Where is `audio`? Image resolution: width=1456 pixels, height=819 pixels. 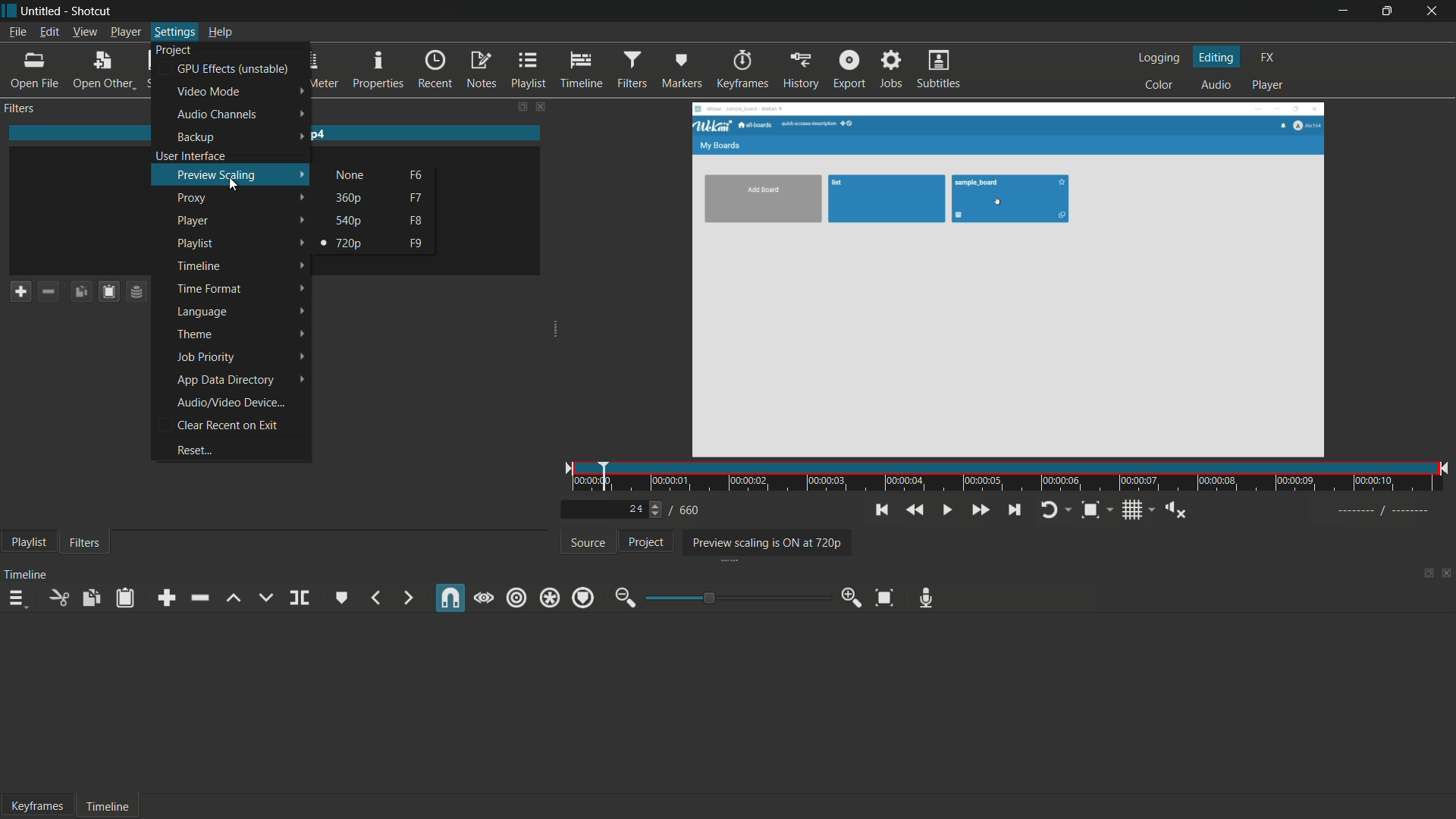 audio is located at coordinates (1216, 86).